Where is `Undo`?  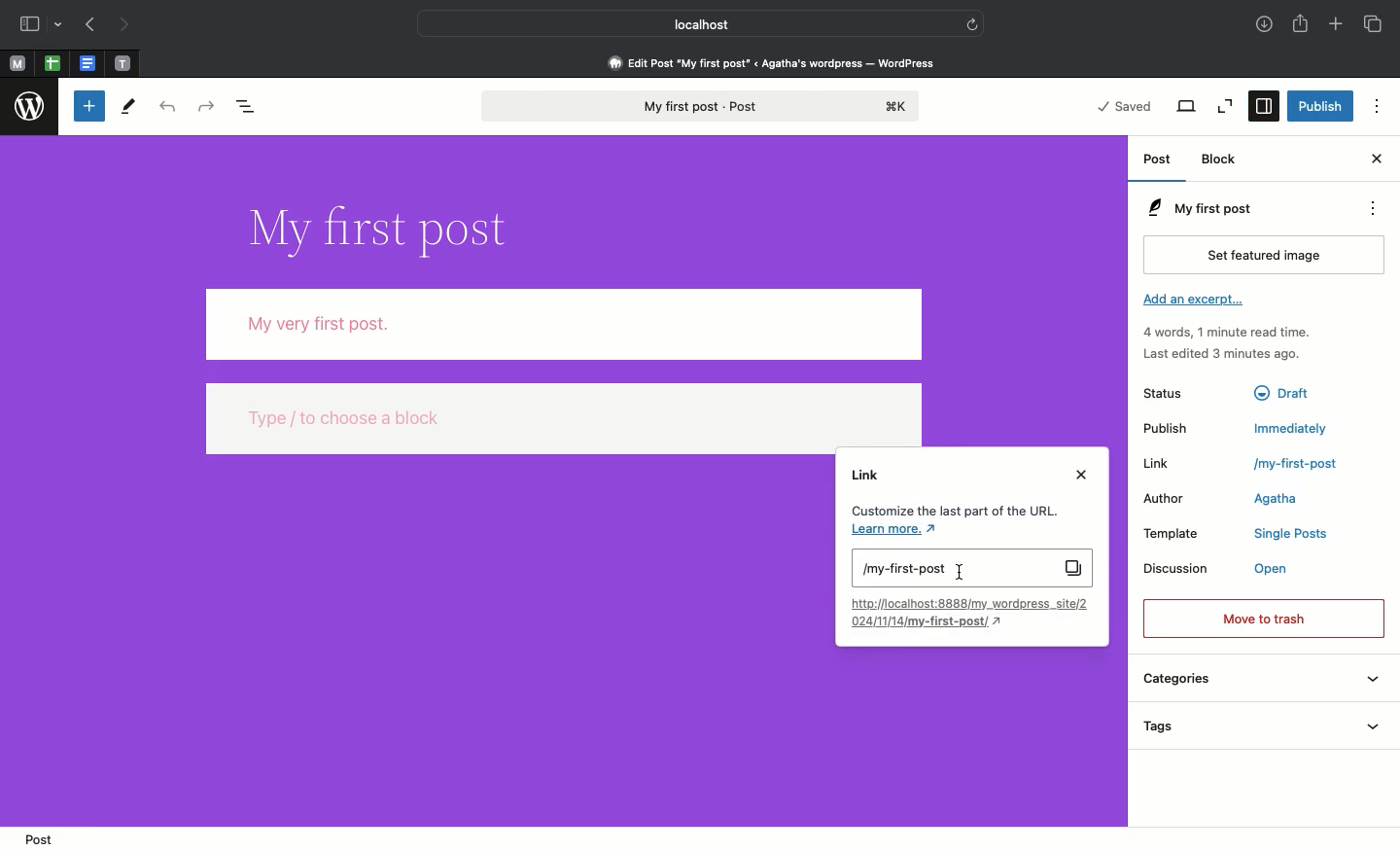 Undo is located at coordinates (167, 105).